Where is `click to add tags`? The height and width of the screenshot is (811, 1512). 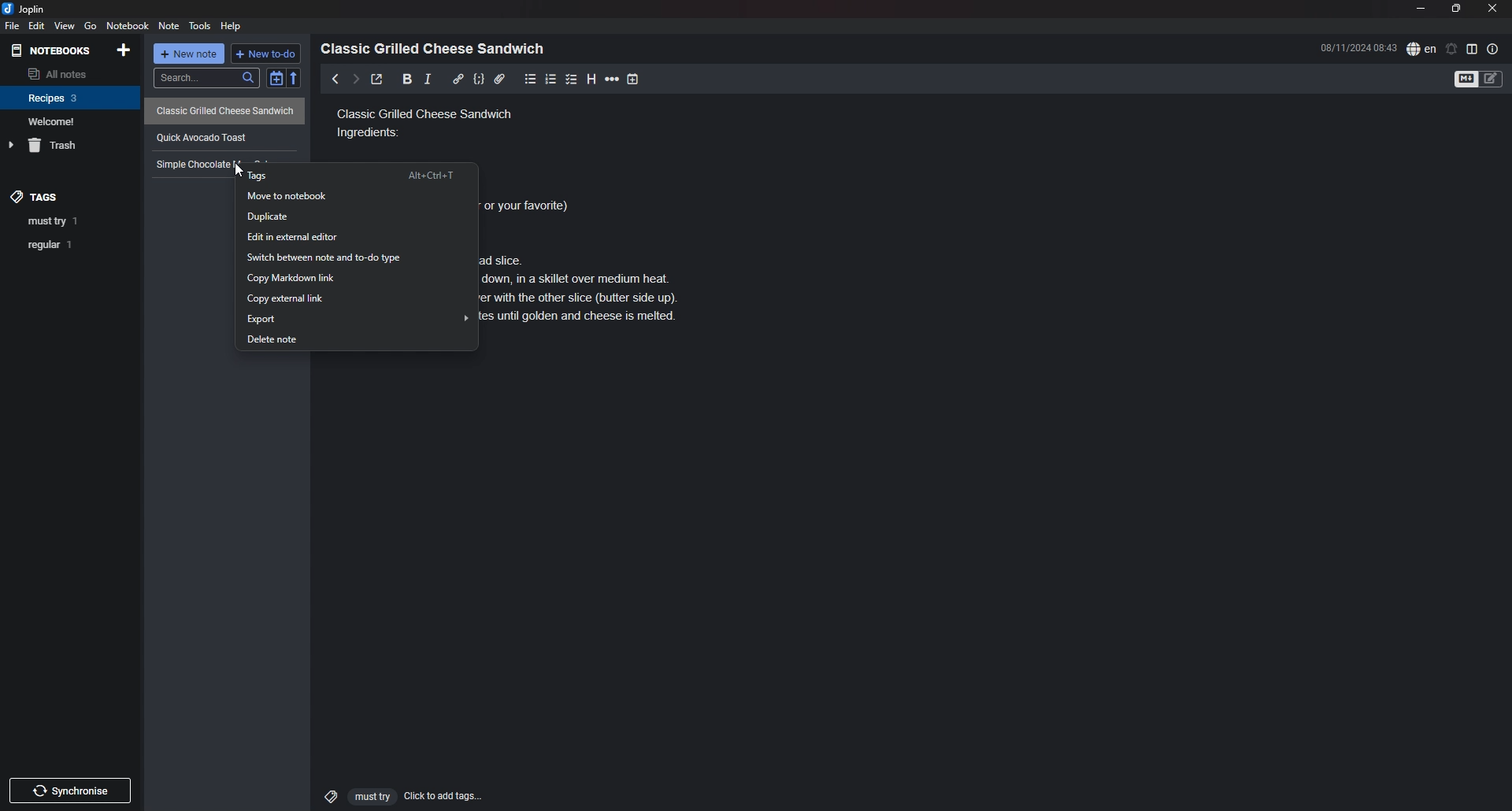 click to add tags is located at coordinates (396, 795).